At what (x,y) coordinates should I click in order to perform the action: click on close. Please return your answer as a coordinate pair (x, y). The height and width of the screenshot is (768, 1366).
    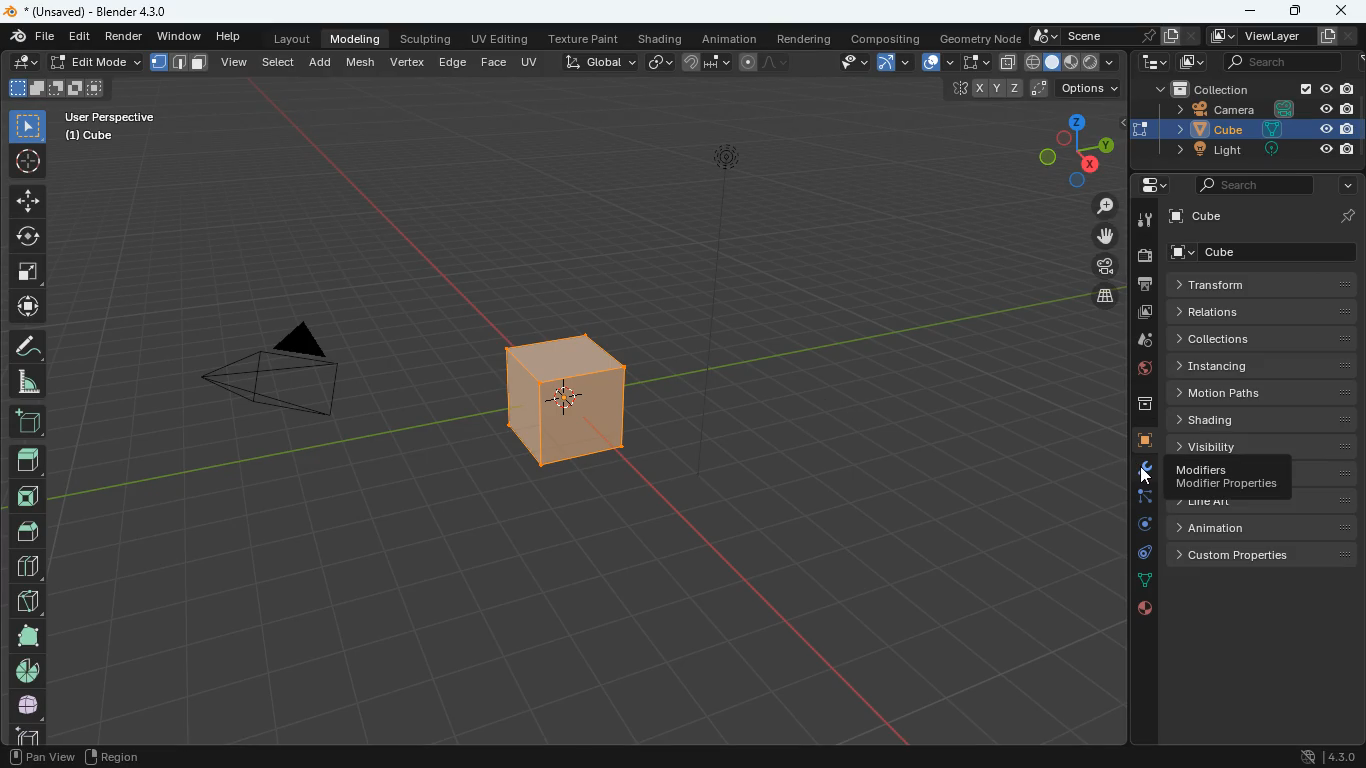
    Looking at the image, I should click on (1340, 10).